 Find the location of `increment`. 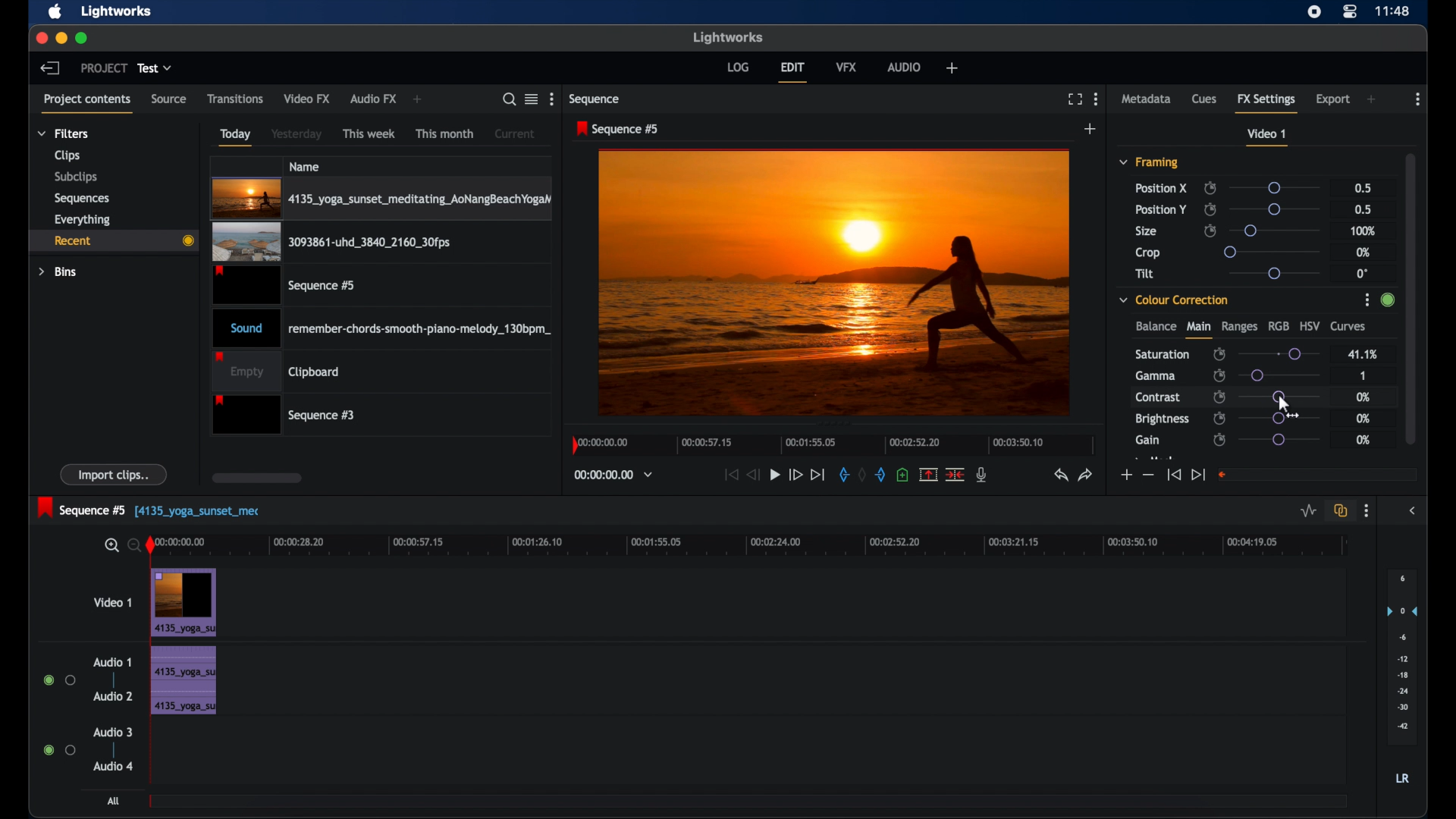

increment is located at coordinates (1125, 475).